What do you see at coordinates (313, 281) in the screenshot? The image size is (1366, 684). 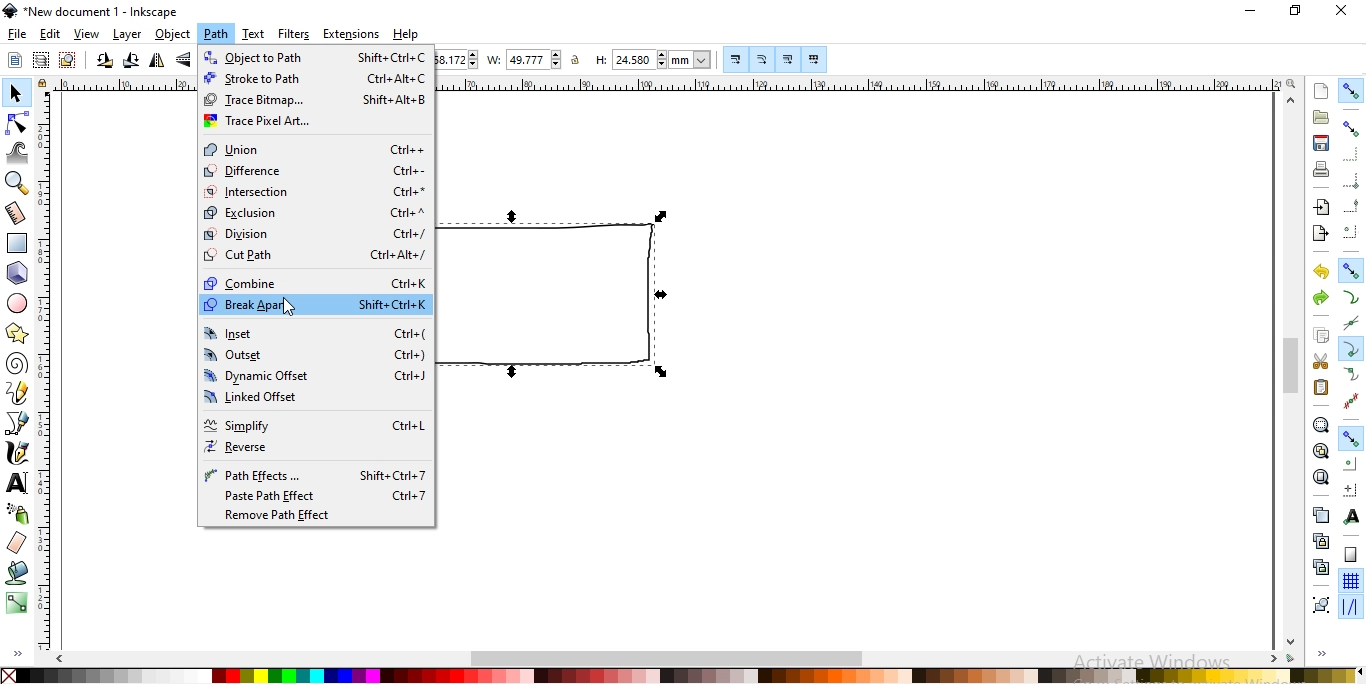 I see `combine` at bounding box center [313, 281].